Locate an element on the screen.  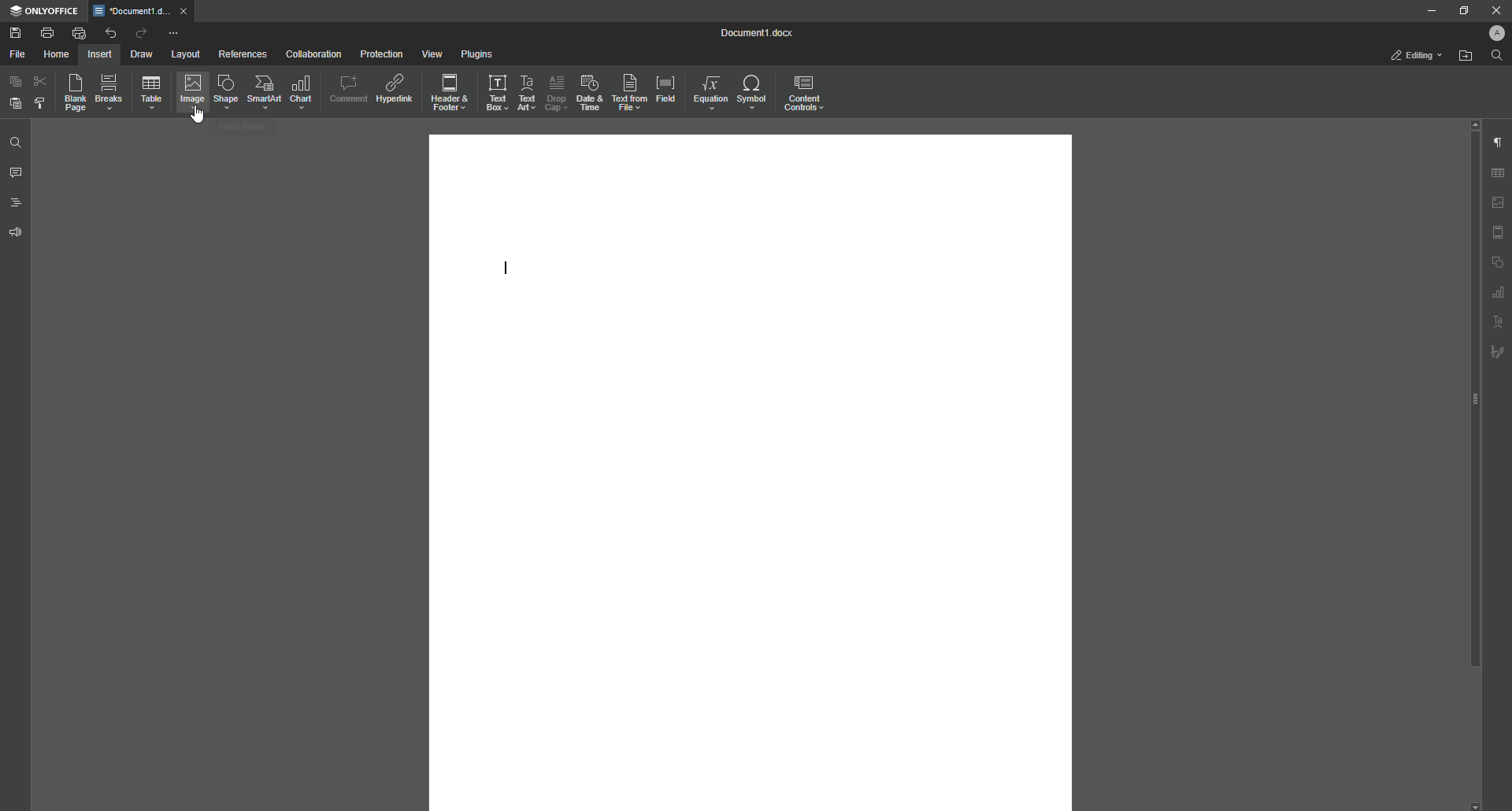
Text From File is located at coordinates (628, 92).